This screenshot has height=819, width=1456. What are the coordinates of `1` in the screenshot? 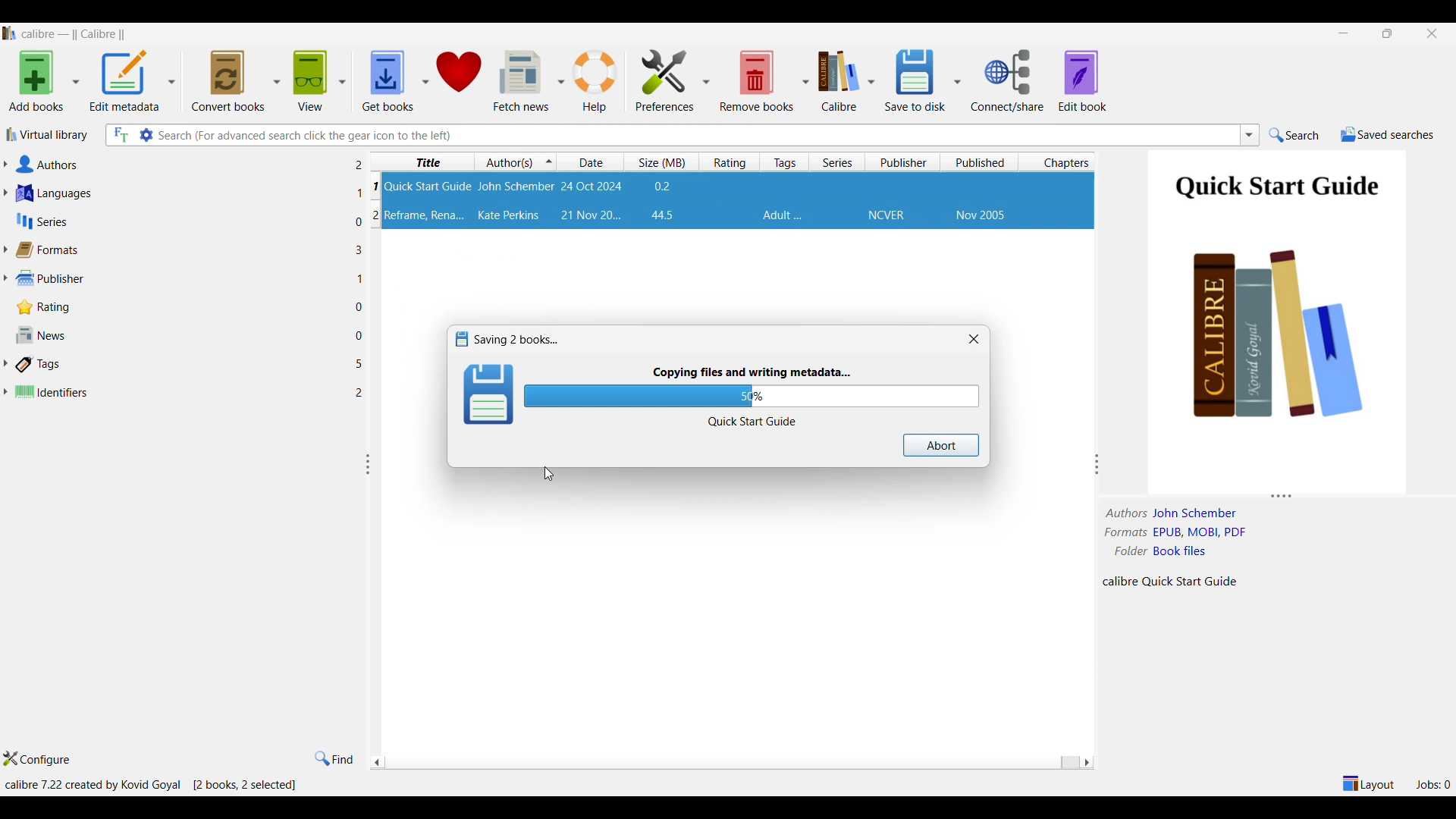 It's located at (376, 189).